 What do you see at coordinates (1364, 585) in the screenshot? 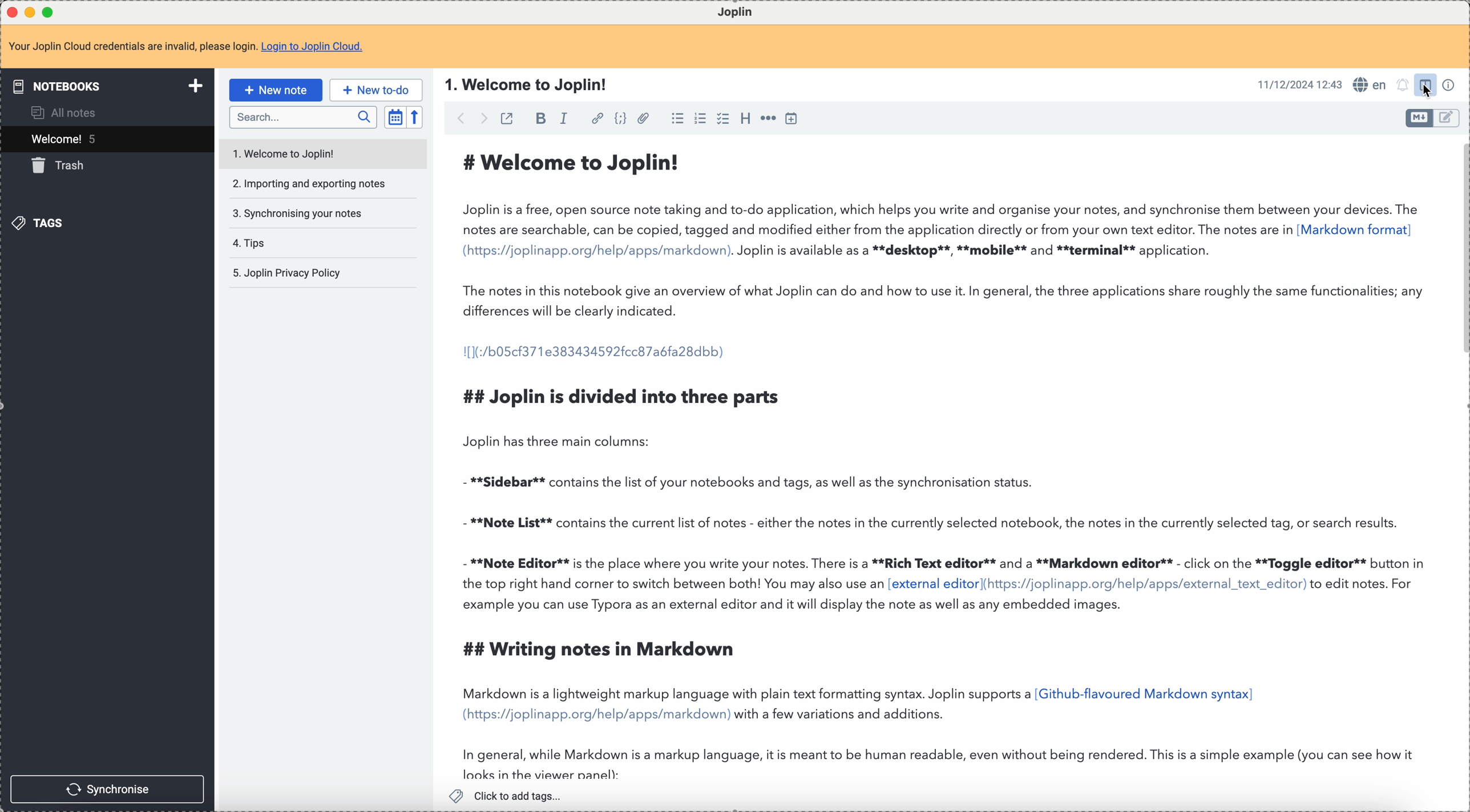
I see `to edit notes. For` at bounding box center [1364, 585].